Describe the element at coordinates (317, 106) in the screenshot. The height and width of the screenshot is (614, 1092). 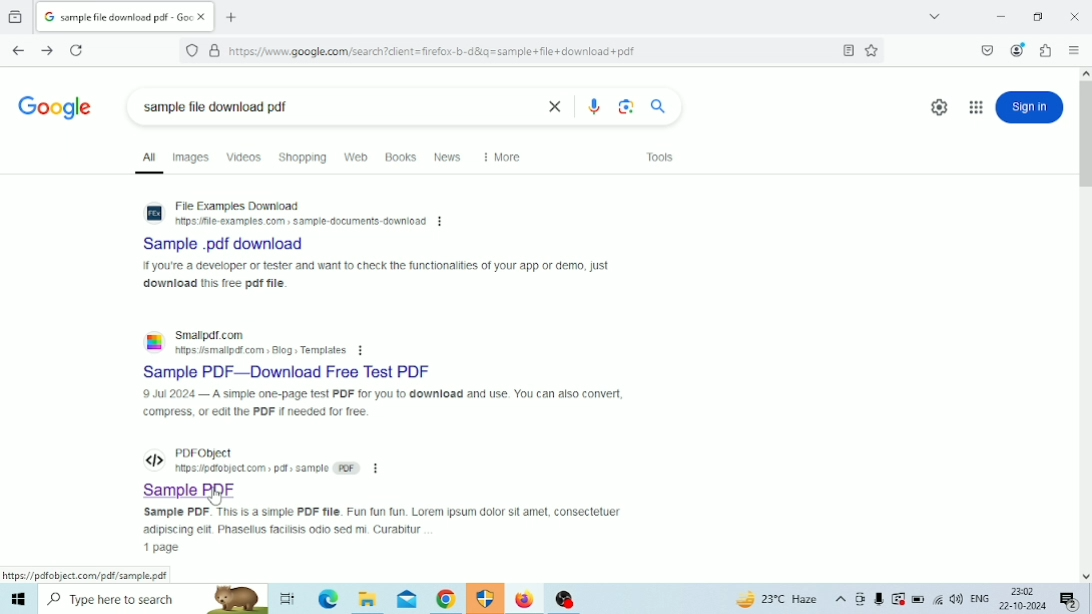
I see `File name` at that location.